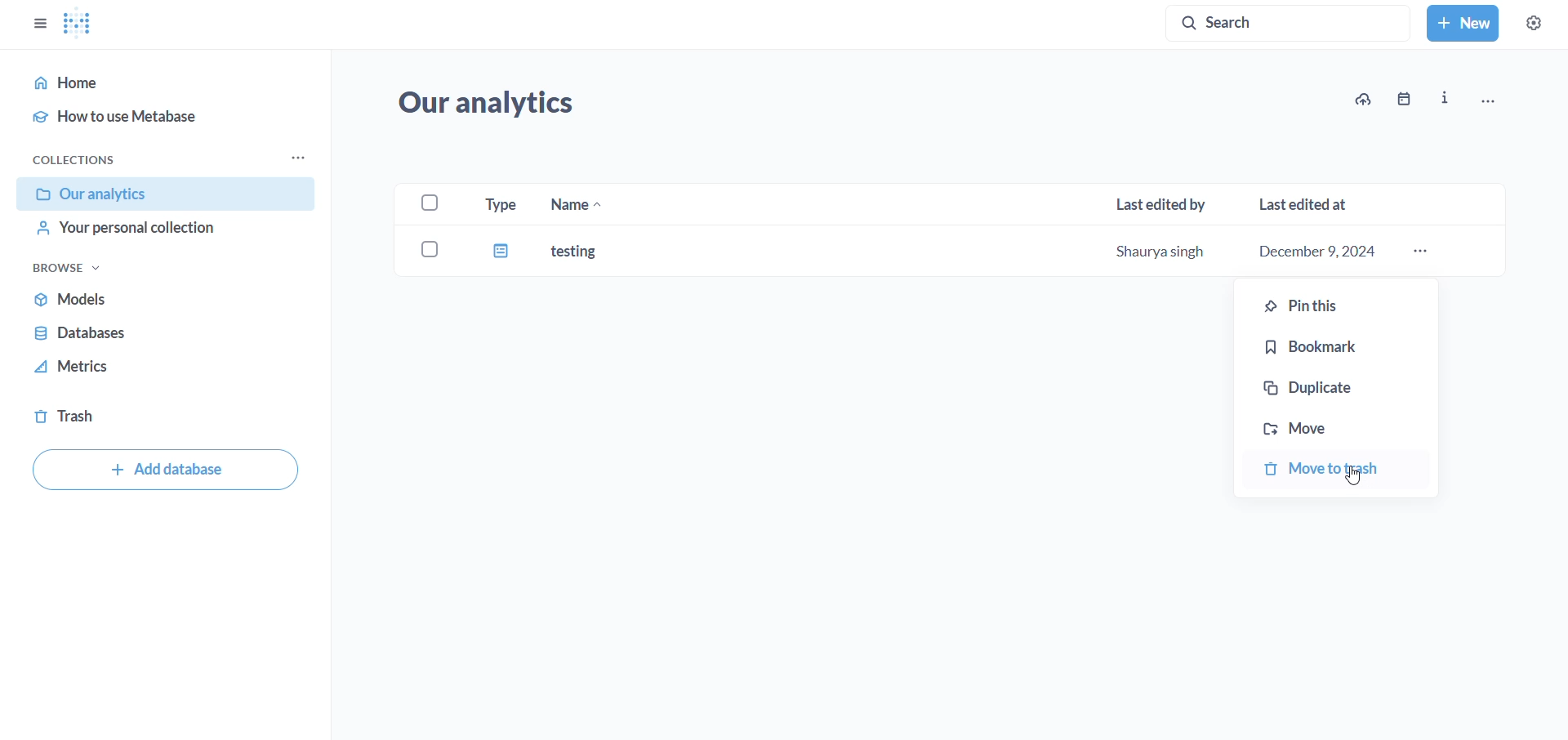 This screenshot has height=740, width=1568. Describe the element at coordinates (1340, 385) in the screenshot. I see `duplicate` at that location.